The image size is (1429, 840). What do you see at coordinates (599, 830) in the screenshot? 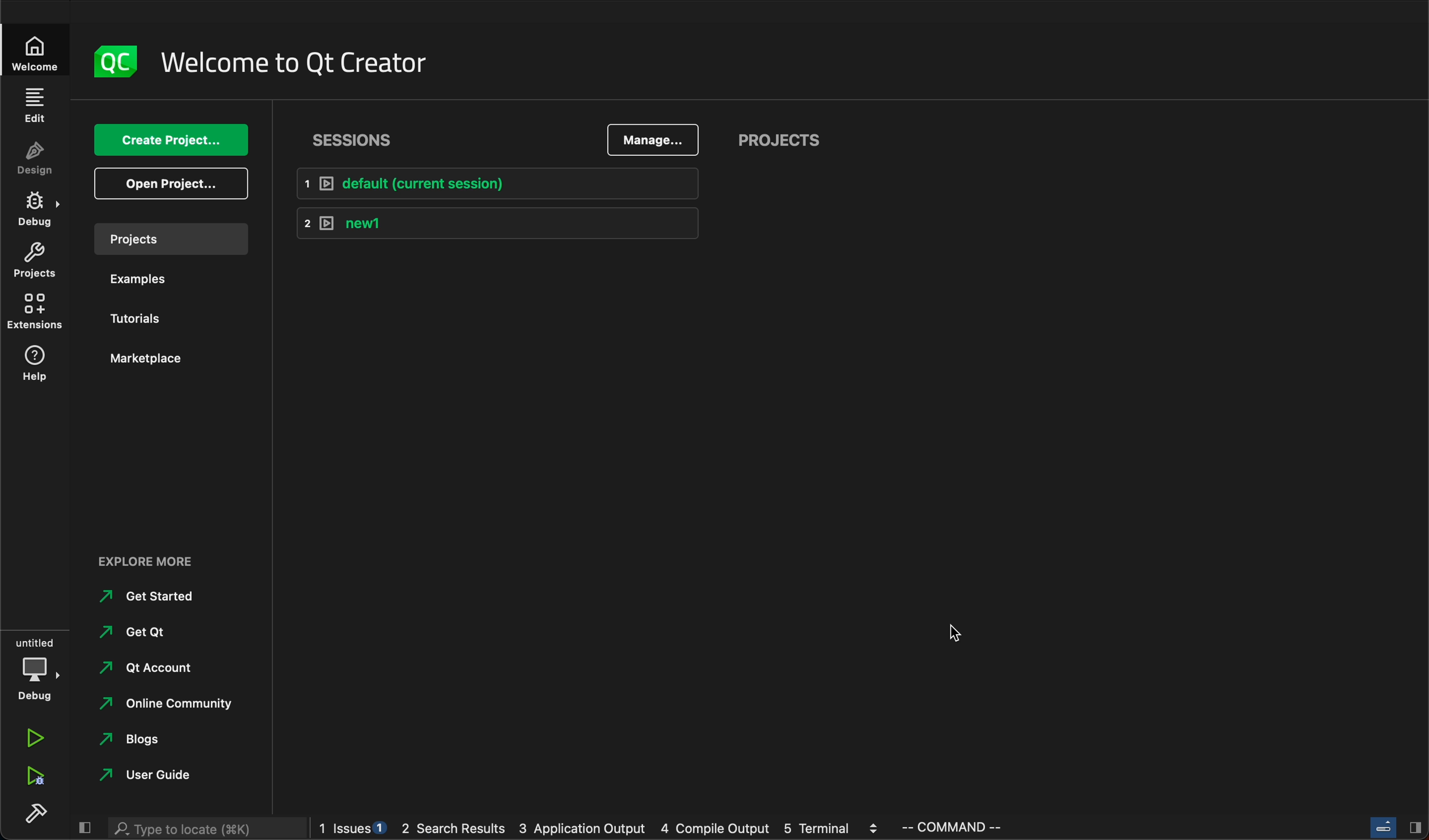
I see `blogs` at bounding box center [599, 830].